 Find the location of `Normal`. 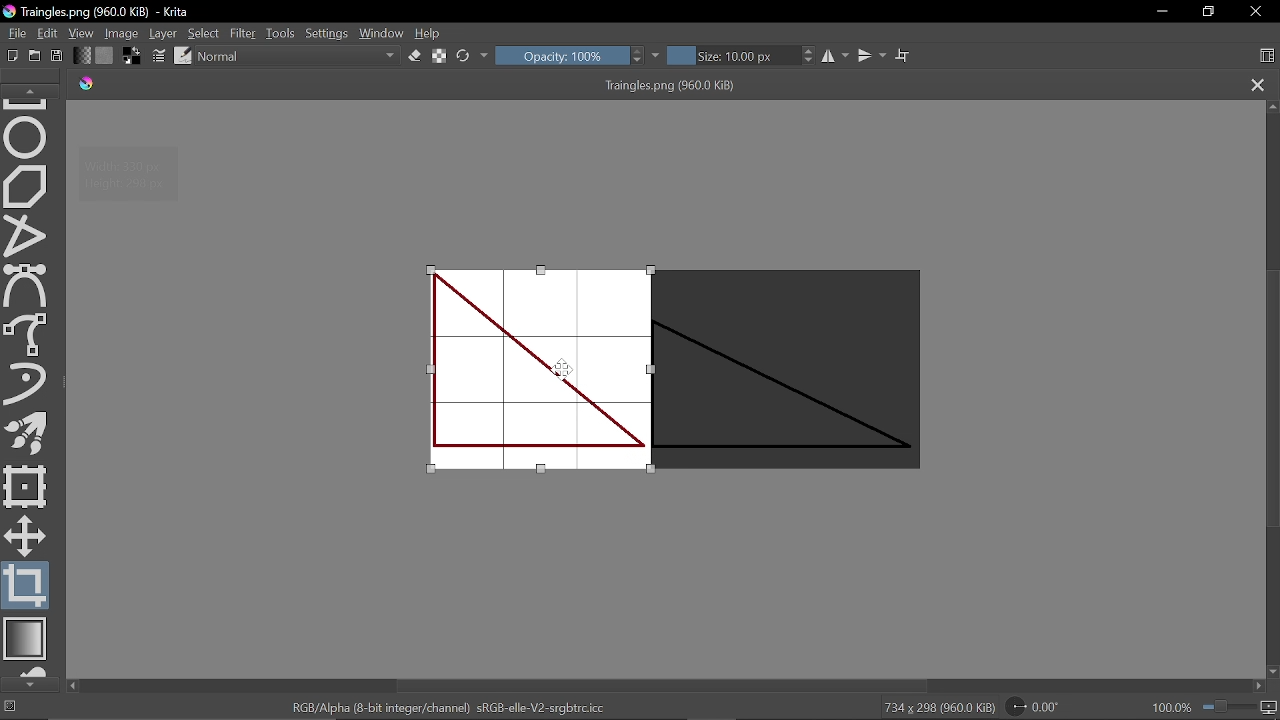

Normal is located at coordinates (299, 57).